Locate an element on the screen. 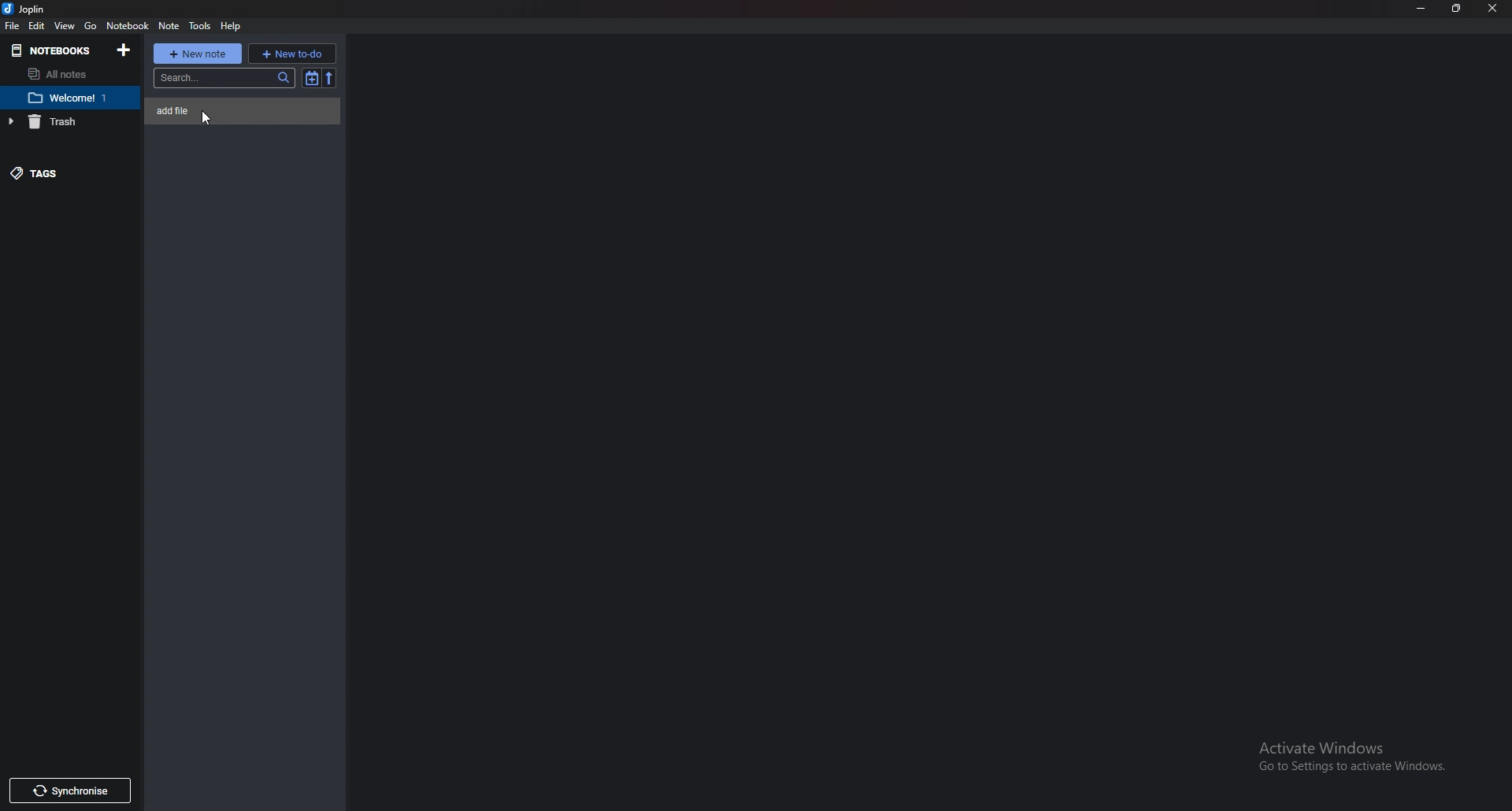 This screenshot has height=811, width=1512. Notebook is located at coordinates (76, 97).